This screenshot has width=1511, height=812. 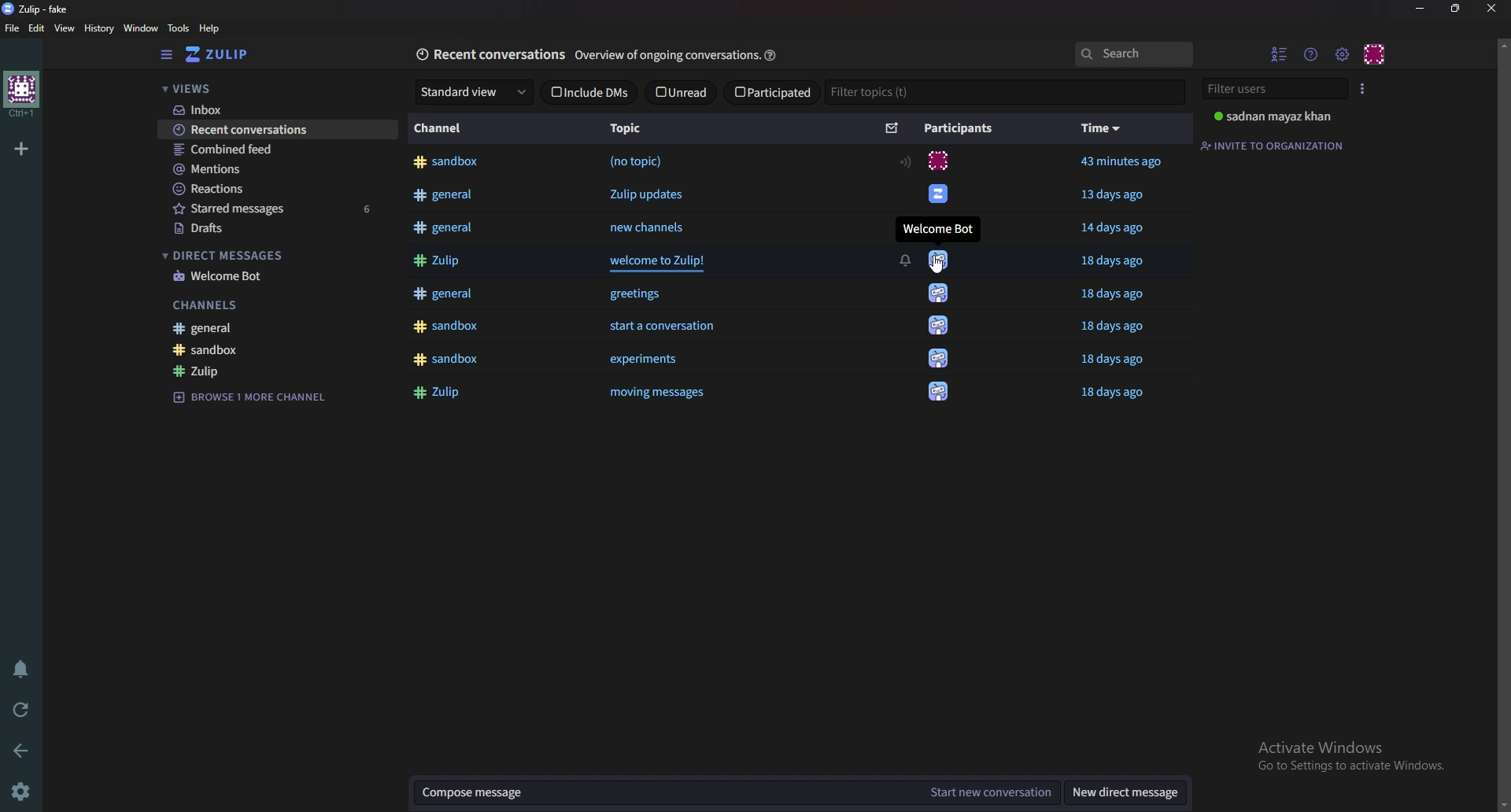 What do you see at coordinates (964, 128) in the screenshot?
I see `Participants` at bounding box center [964, 128].